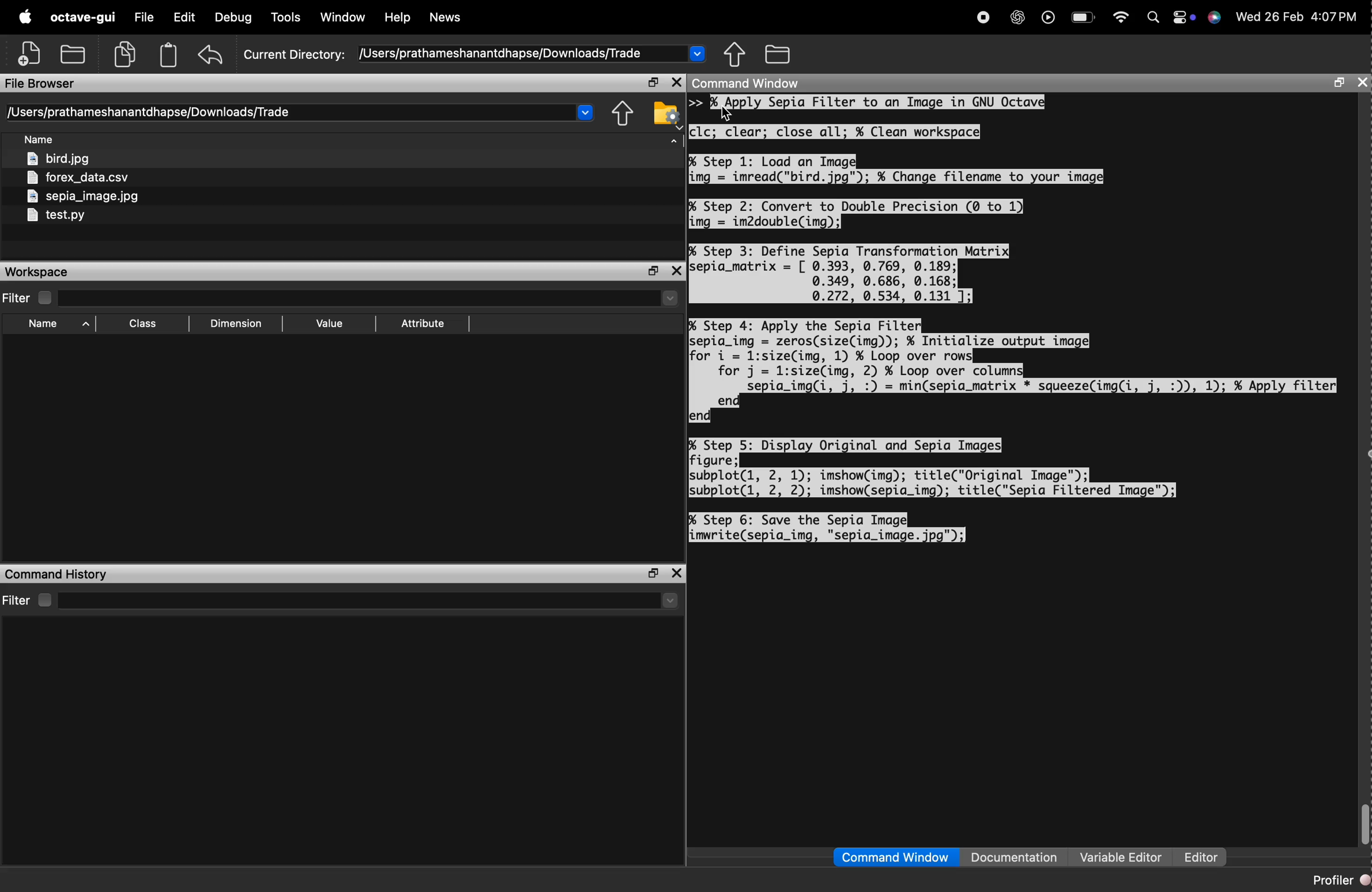 This screenshot has width=1372, height=892. I want to click on action center, so click(1185, 18).